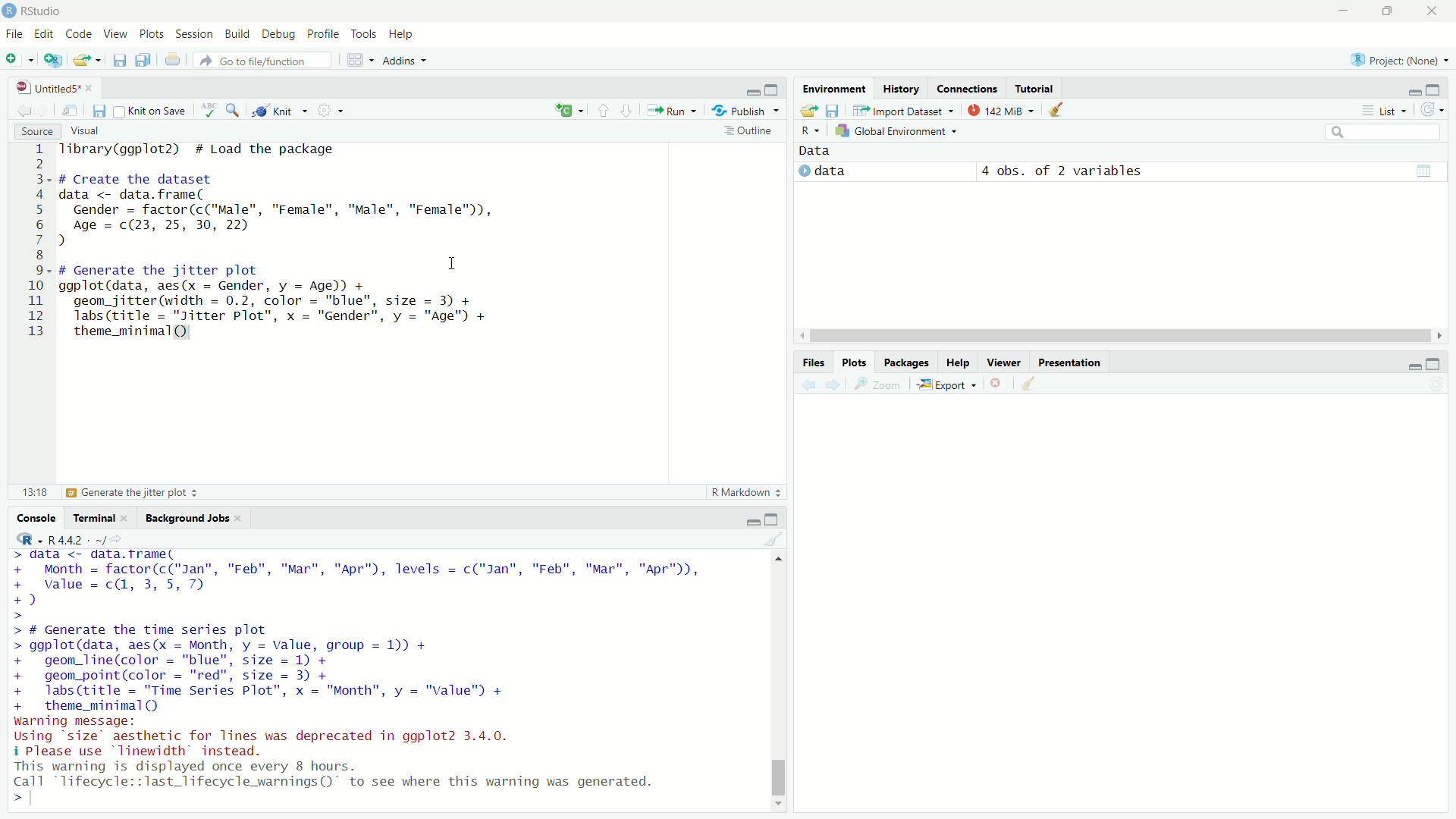  What do you see at coordinates (243, 517) in the screenshot?
I see `close` at bounding box center [243, 517].